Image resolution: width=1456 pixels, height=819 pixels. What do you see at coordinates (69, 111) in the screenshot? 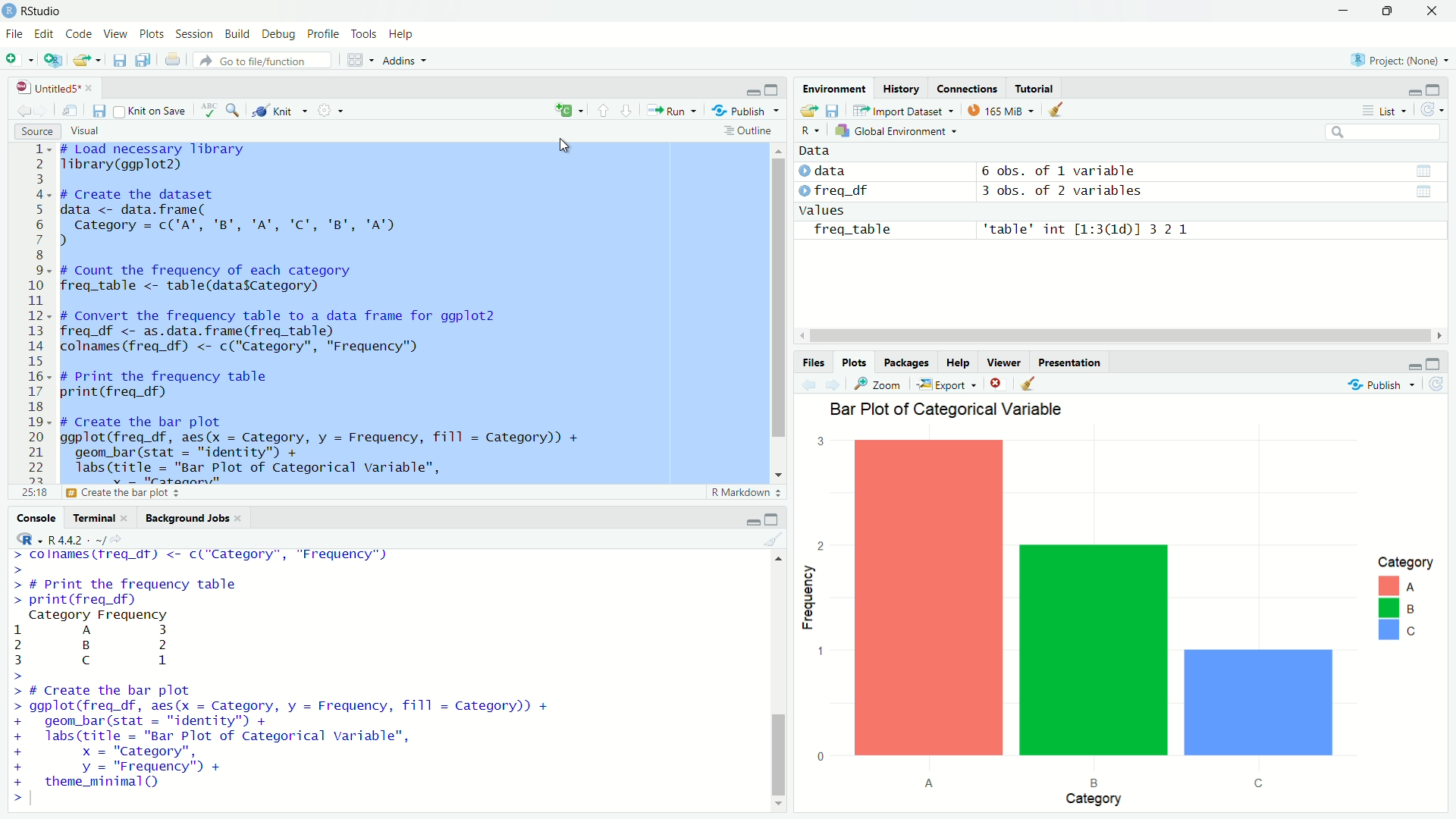
I see `open in new window` at bounding box center [69, 111].